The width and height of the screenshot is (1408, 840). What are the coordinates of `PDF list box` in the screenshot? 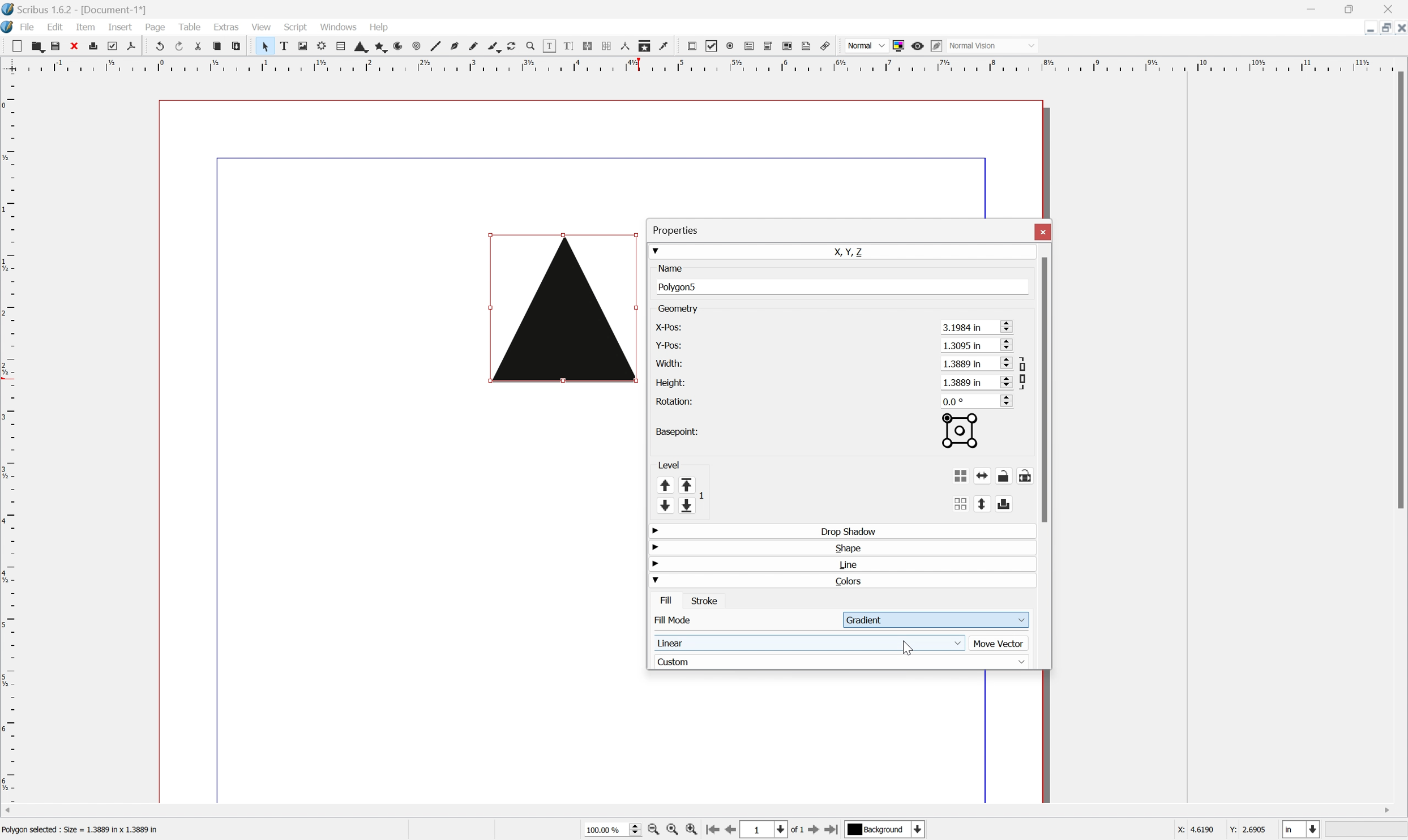 It's located at (788, 46).